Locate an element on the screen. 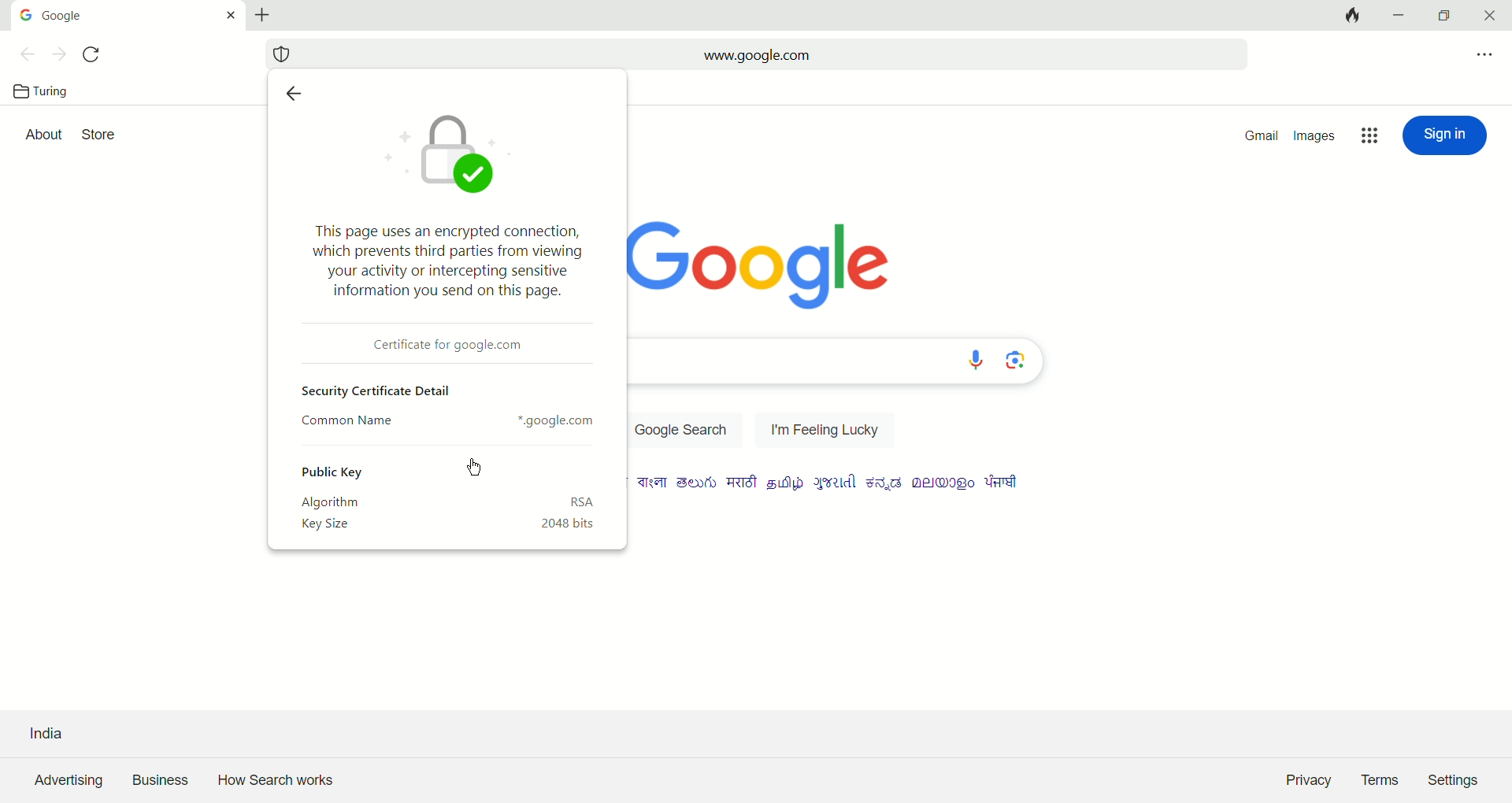  store is located at coordinates (102, 134).